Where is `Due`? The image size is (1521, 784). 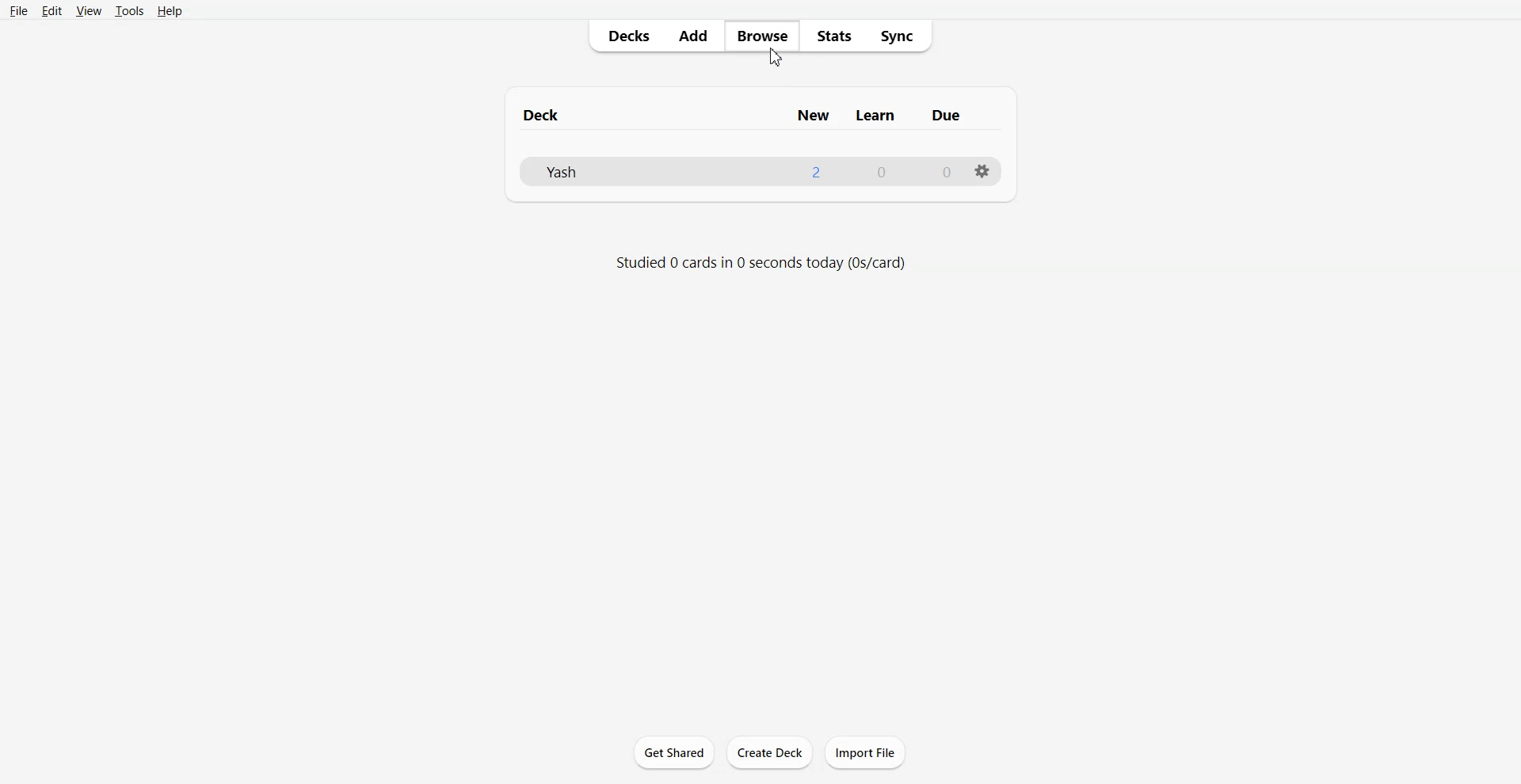 Due is located at coordinates (948, 115).